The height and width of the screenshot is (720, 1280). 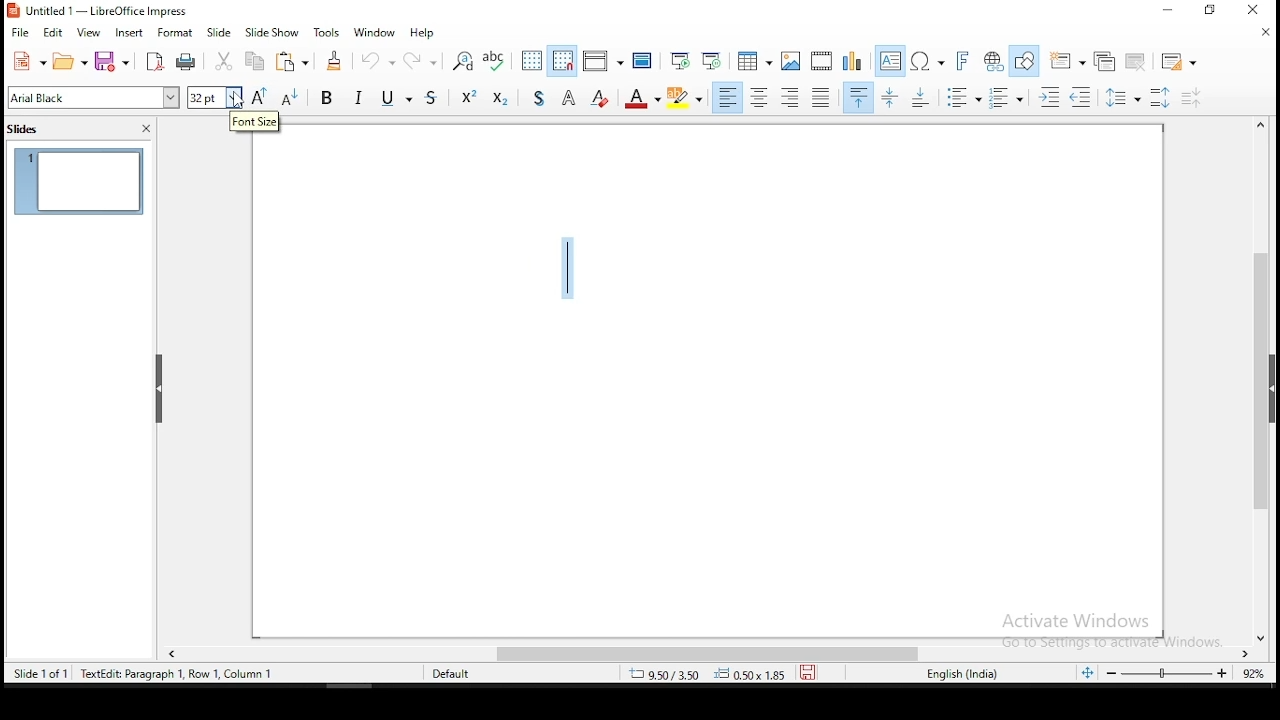 What do you see at coordinates (679, 60) in the screenshot?
I see `start from first slide` at bounding box center [679, 60].